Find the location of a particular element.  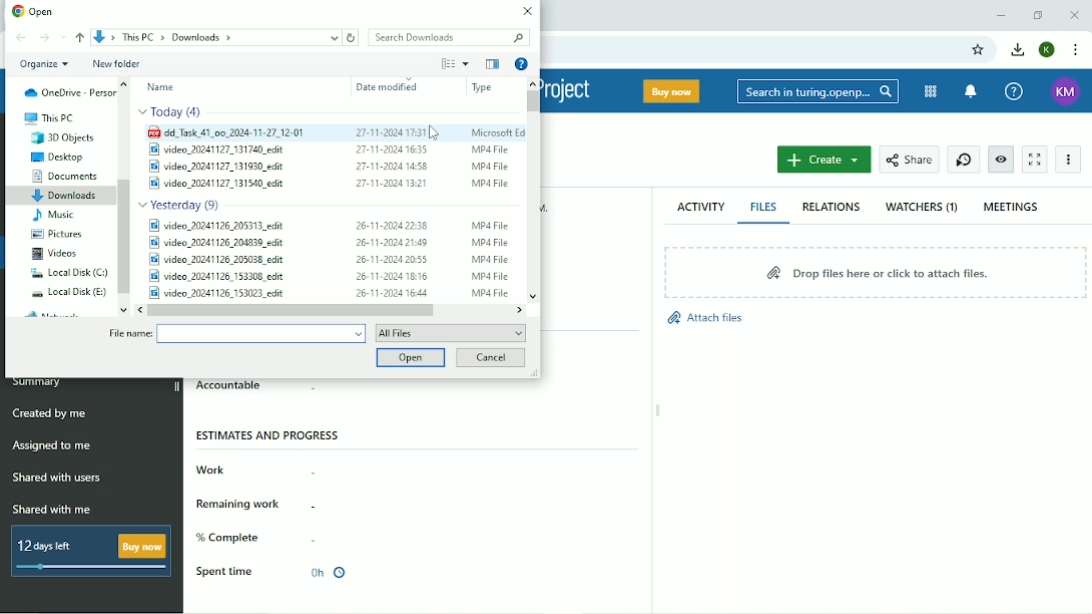

Network is located at coordinates (56, 313).